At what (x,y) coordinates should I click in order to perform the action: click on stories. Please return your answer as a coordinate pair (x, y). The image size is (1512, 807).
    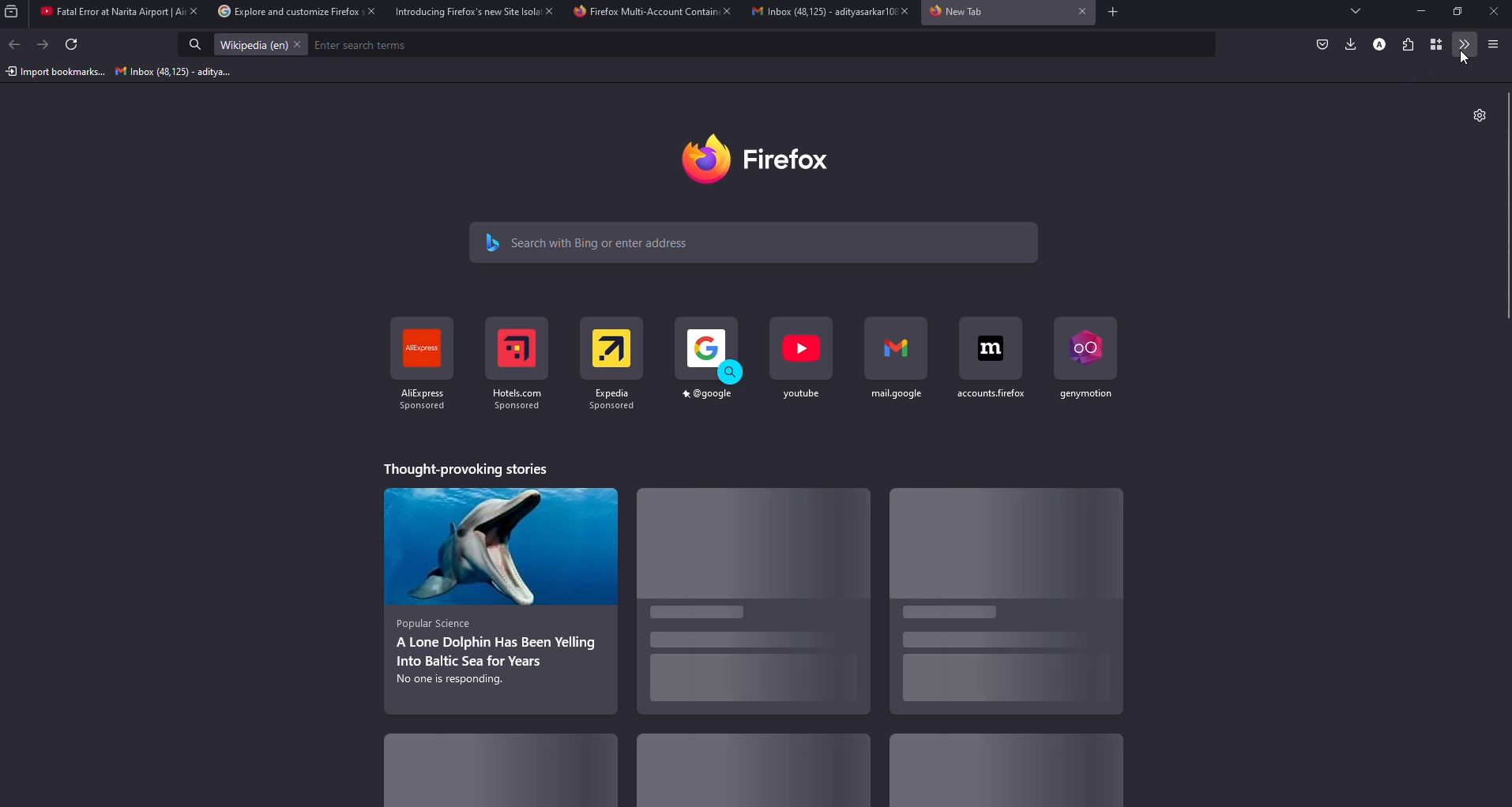
    Looking at the image, I should click on (1004, 774).